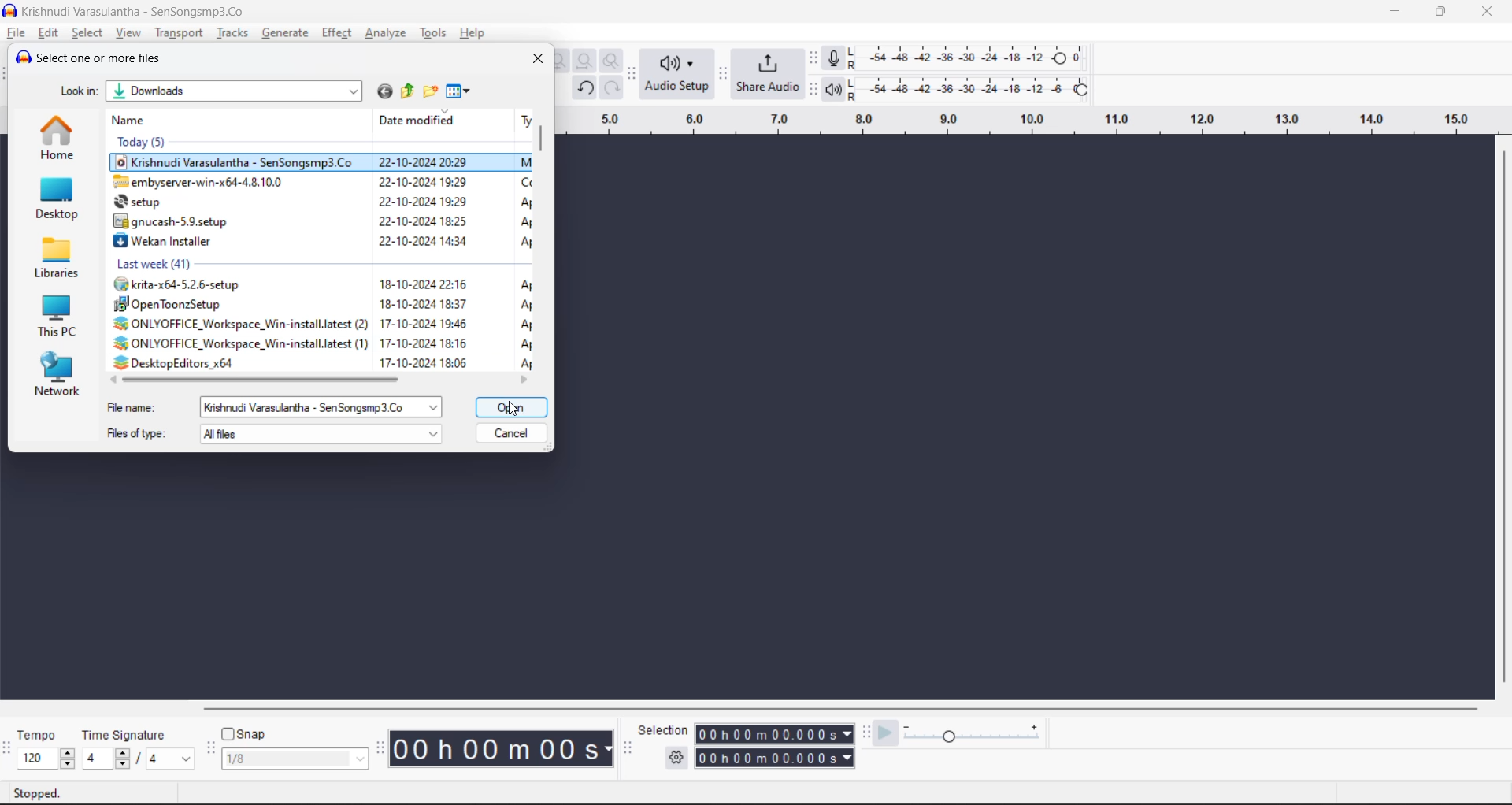  Describe the element at coordinates (324, 342) in the screenshot. I see `2% ONLYOFFICE_ Workspace Win-install.latest (1) 17-10-2024 18:16 A` at that location.